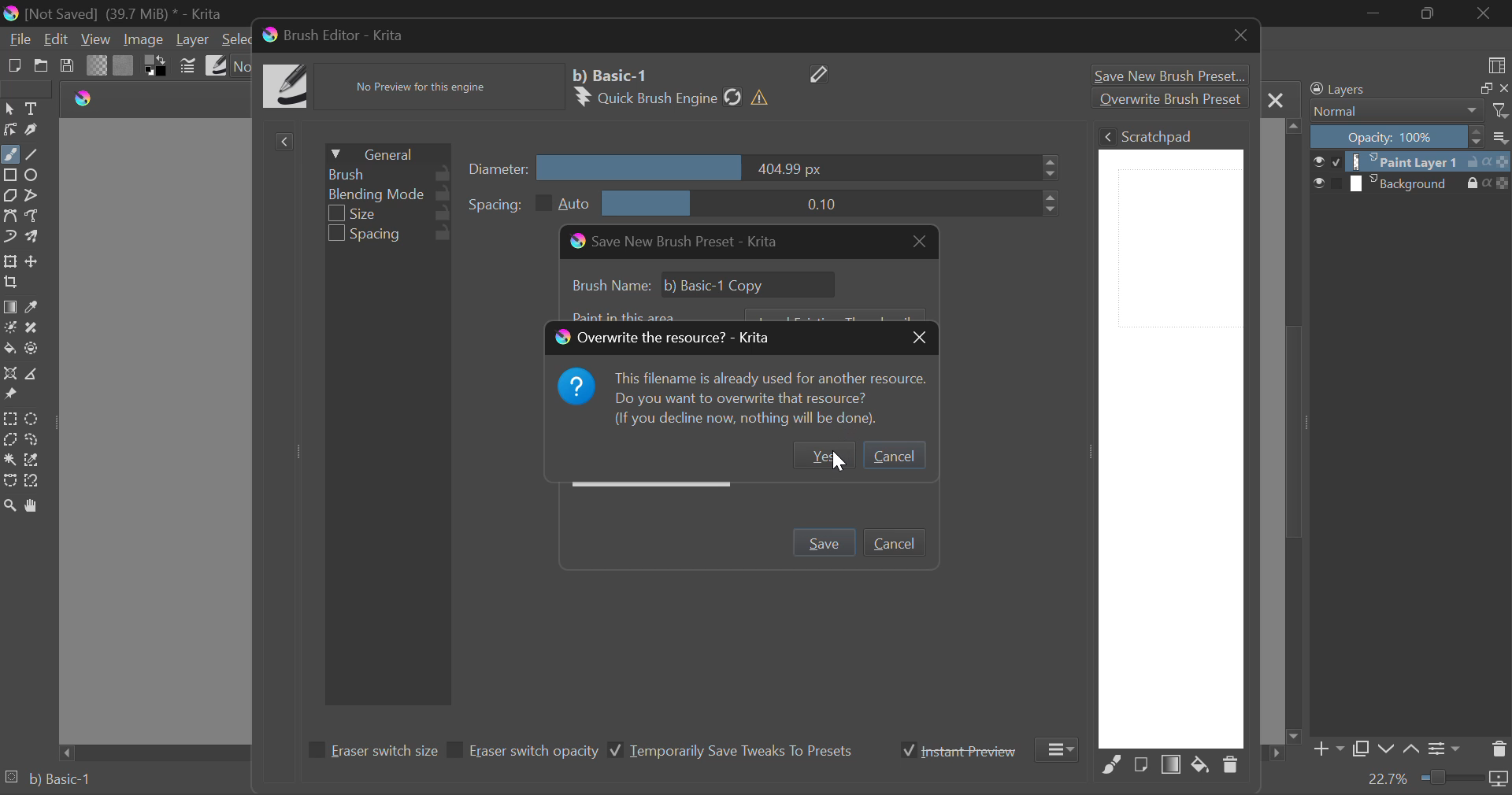 The width and height of the screenshot is (1512, 795). I want to click on Close, so click(922, 342).